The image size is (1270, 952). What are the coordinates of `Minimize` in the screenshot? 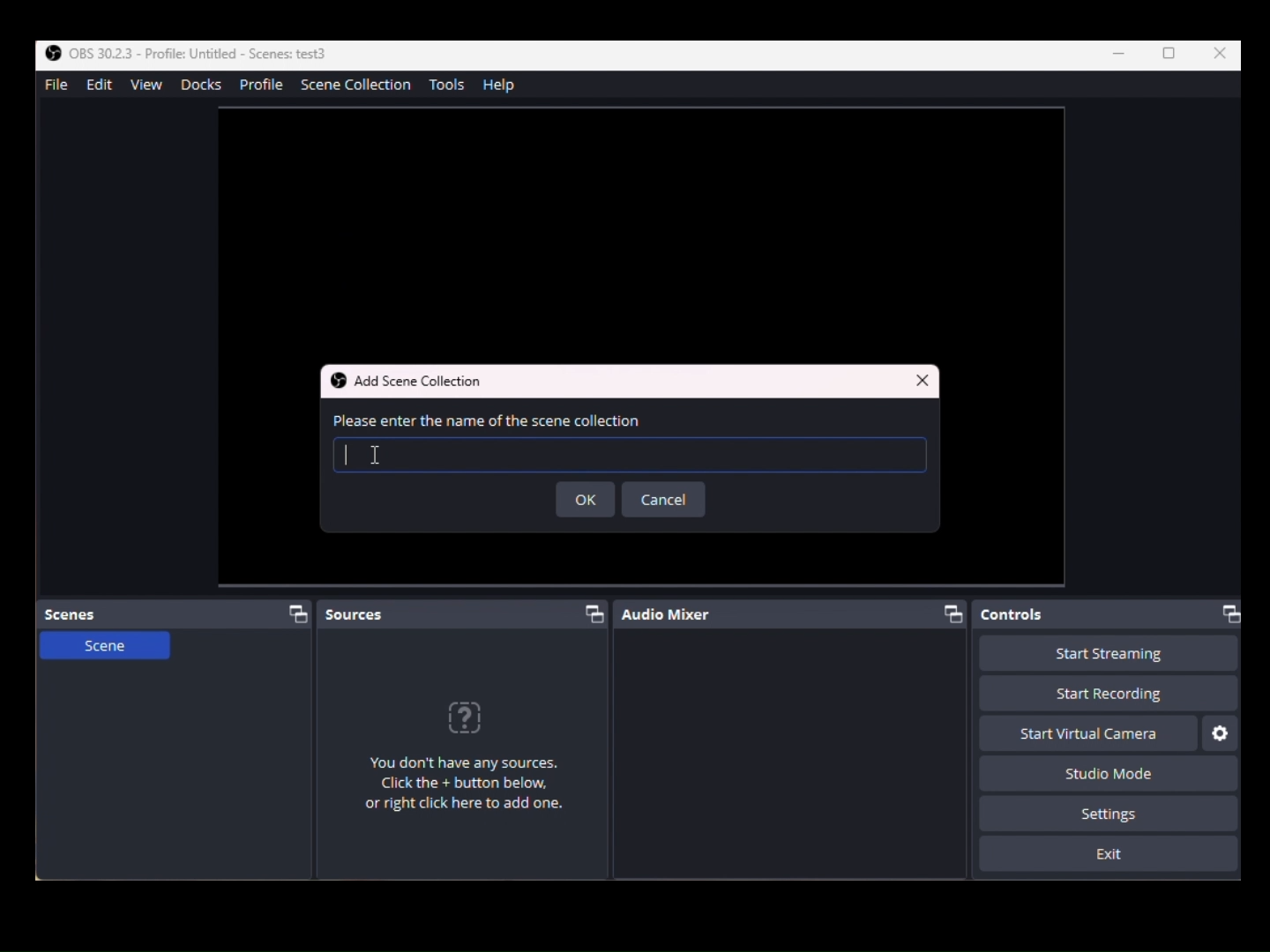 It's located at (1122, 55).